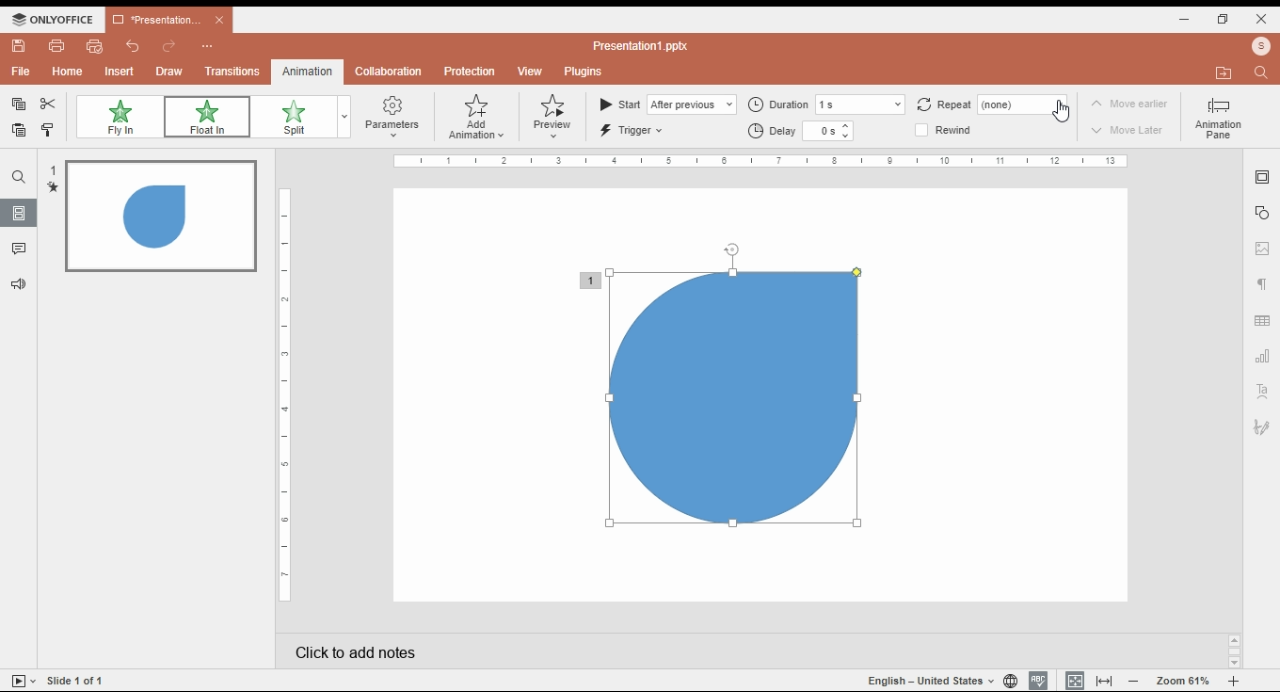 Image resolution: width=1280 pixels, height=692 pixels. What do you see at coordinates (390, 116) in the screenshot?
I see `parameters` at bounding box center [390, 116].